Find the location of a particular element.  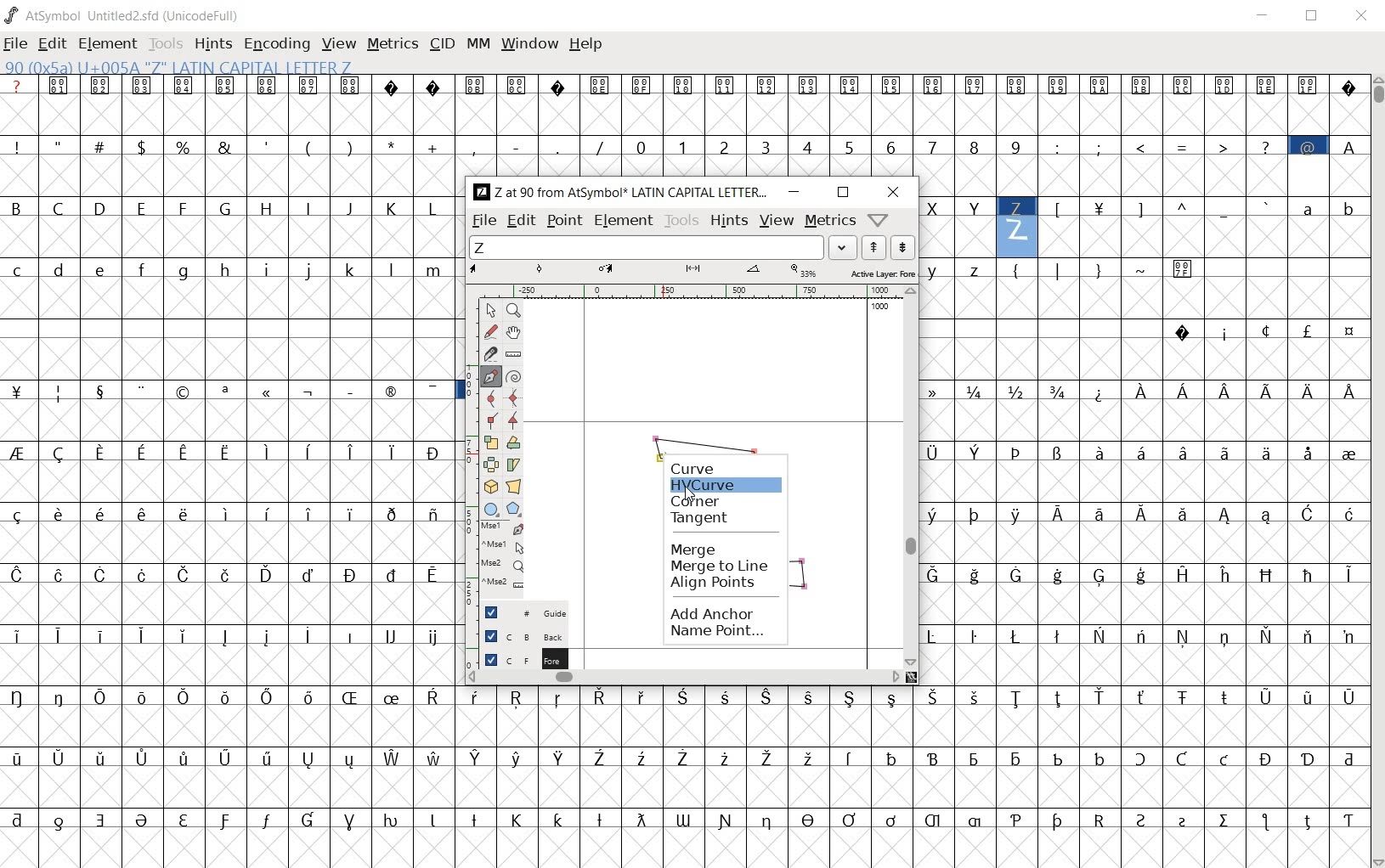

mse1 mse1 mse2 mse2 is located at coordinates (494, 561).